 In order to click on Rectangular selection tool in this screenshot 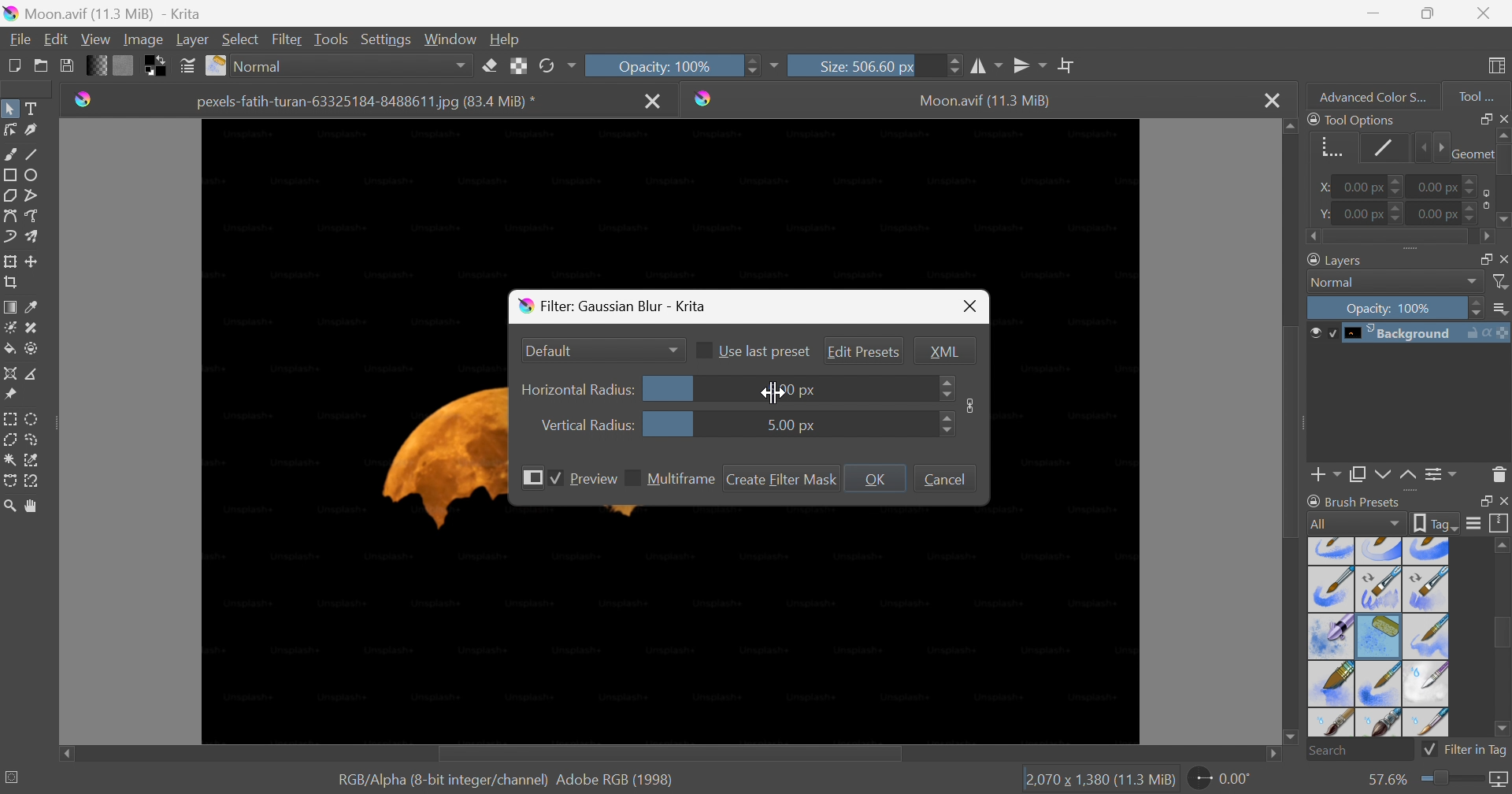, I will do `click(12, 419)`.